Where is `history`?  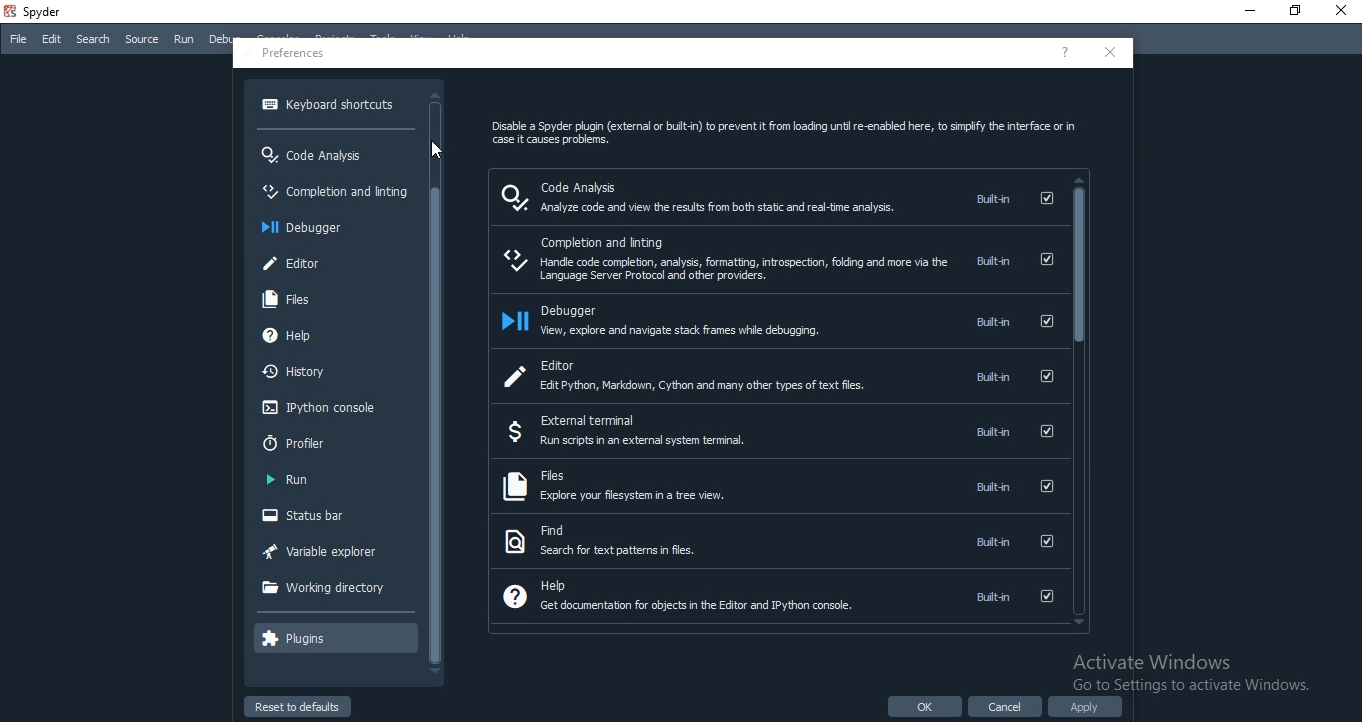
history is located at coordinates (334, 372).